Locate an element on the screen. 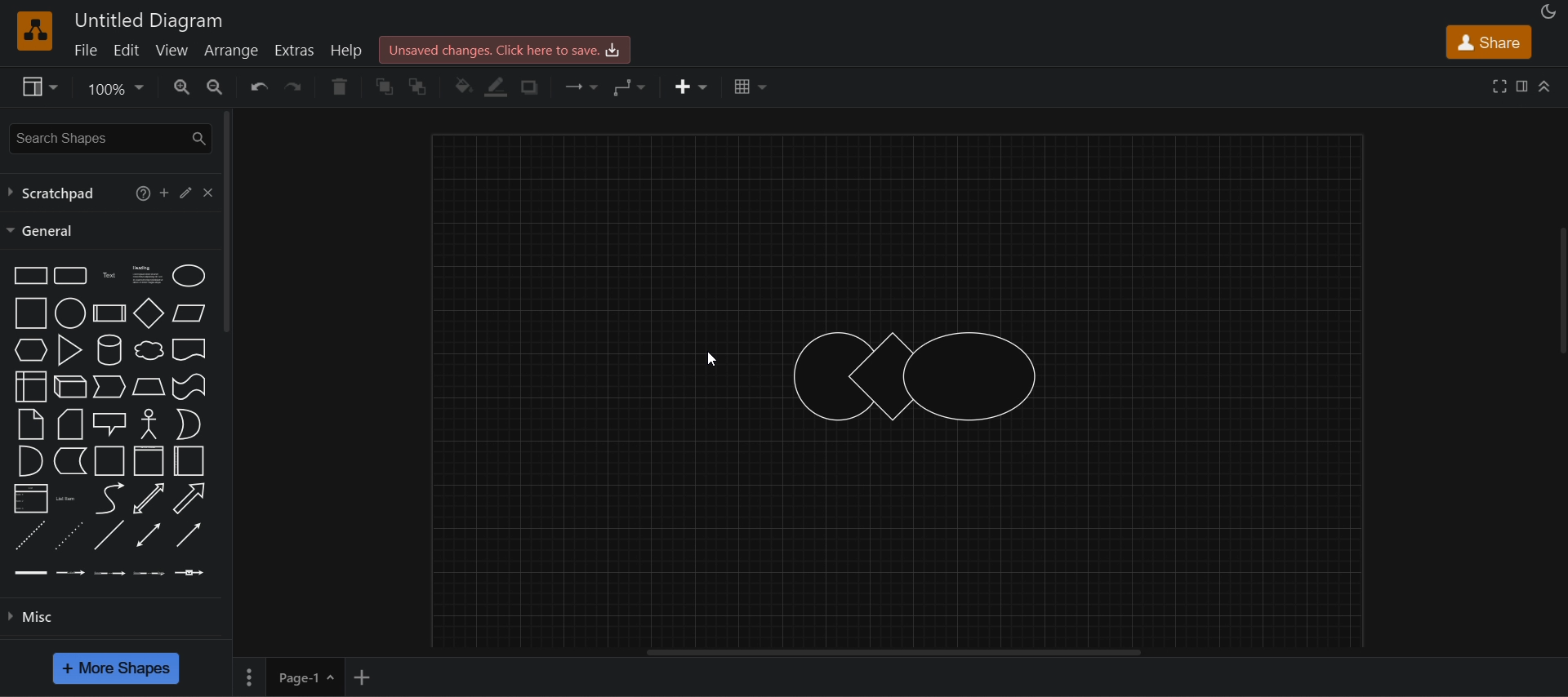  arrangw is located at coordinates (230, 49).